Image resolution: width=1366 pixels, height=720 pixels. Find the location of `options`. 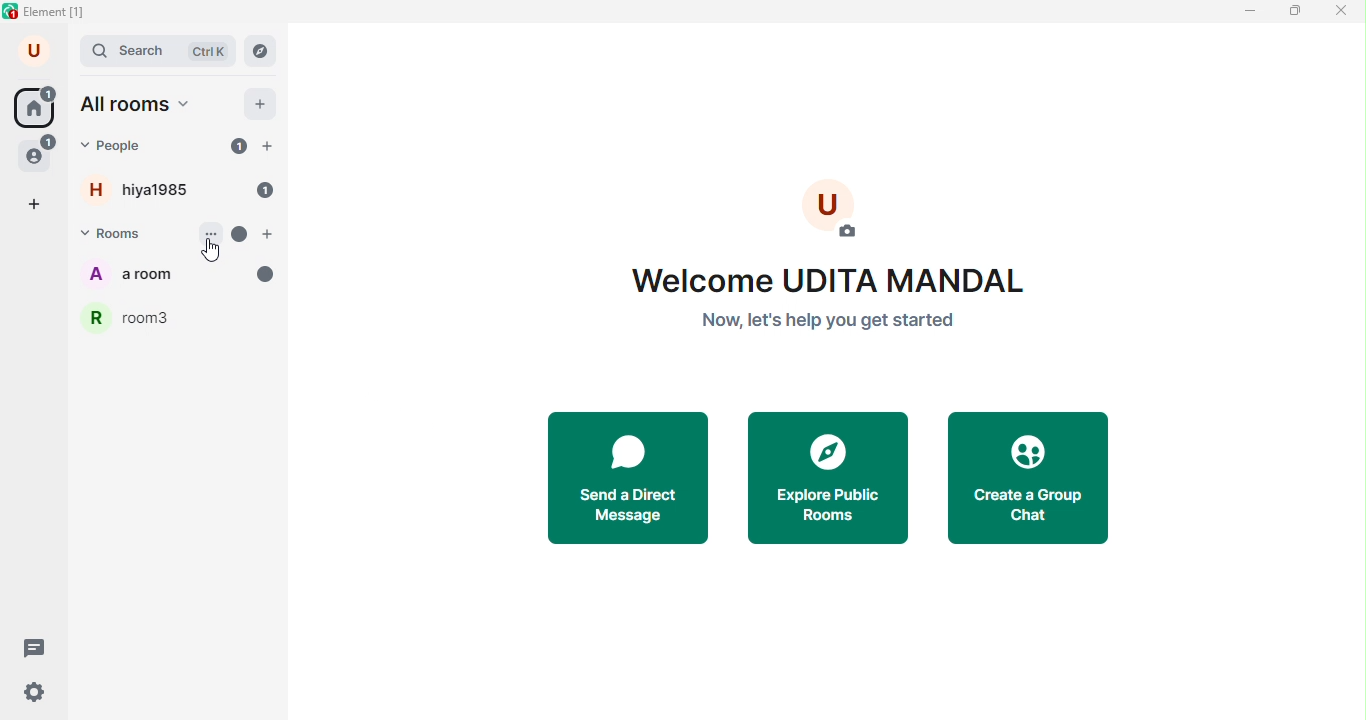

options is located at coordinates (207, 233).